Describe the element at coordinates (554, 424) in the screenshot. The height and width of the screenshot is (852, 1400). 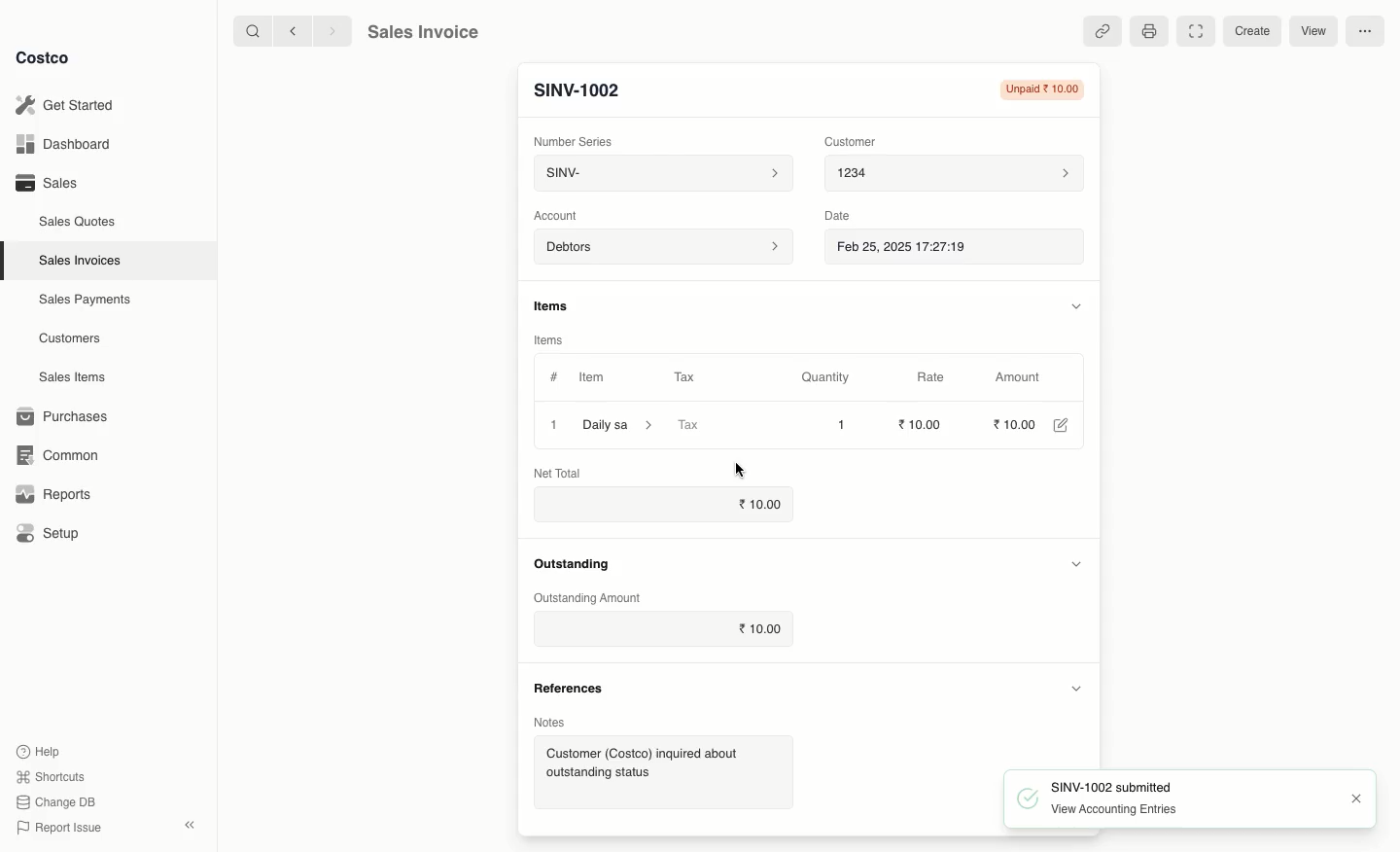
I see `1` at that location.